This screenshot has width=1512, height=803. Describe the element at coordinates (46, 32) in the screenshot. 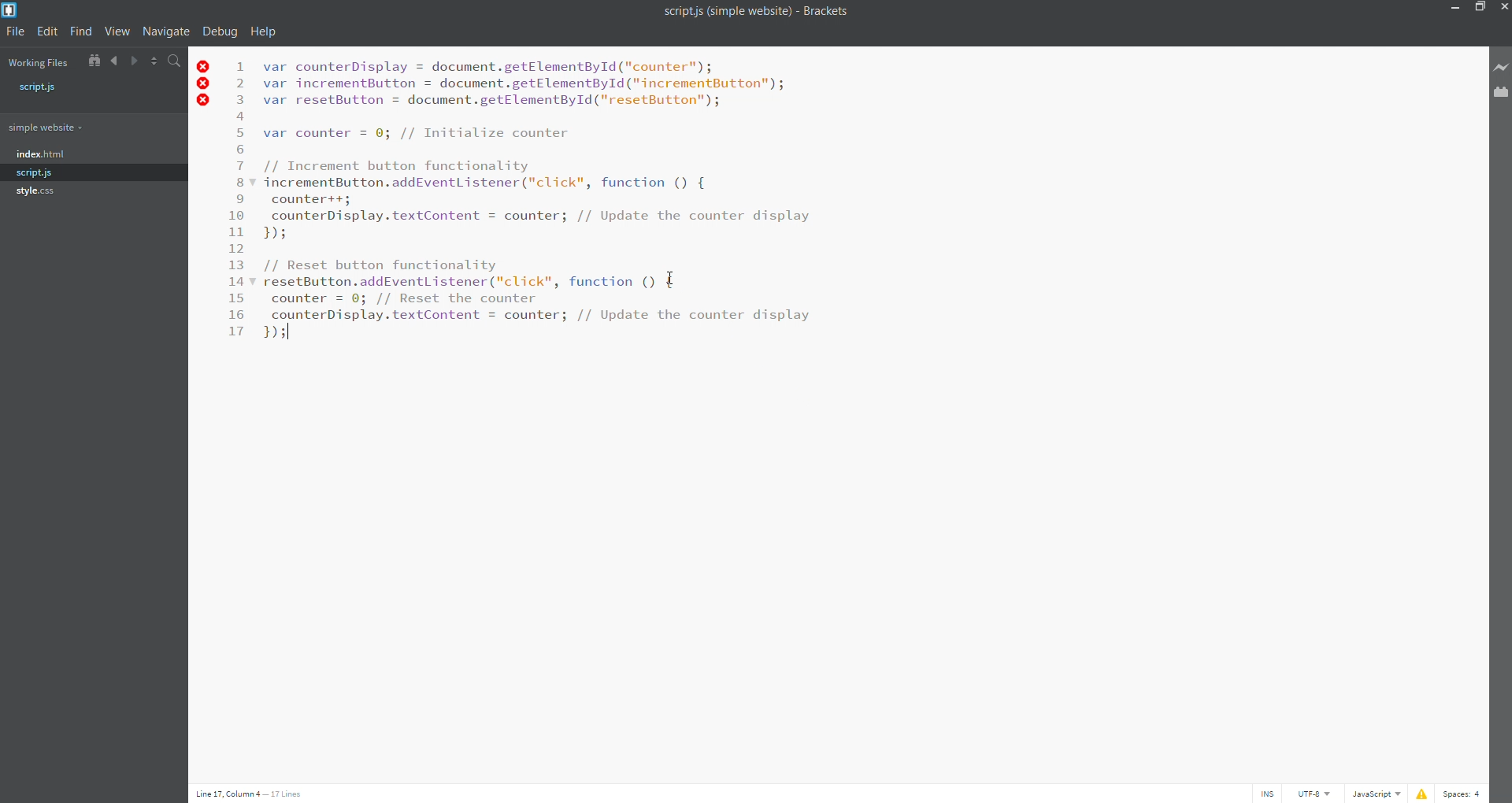

I see `edit` at that location.